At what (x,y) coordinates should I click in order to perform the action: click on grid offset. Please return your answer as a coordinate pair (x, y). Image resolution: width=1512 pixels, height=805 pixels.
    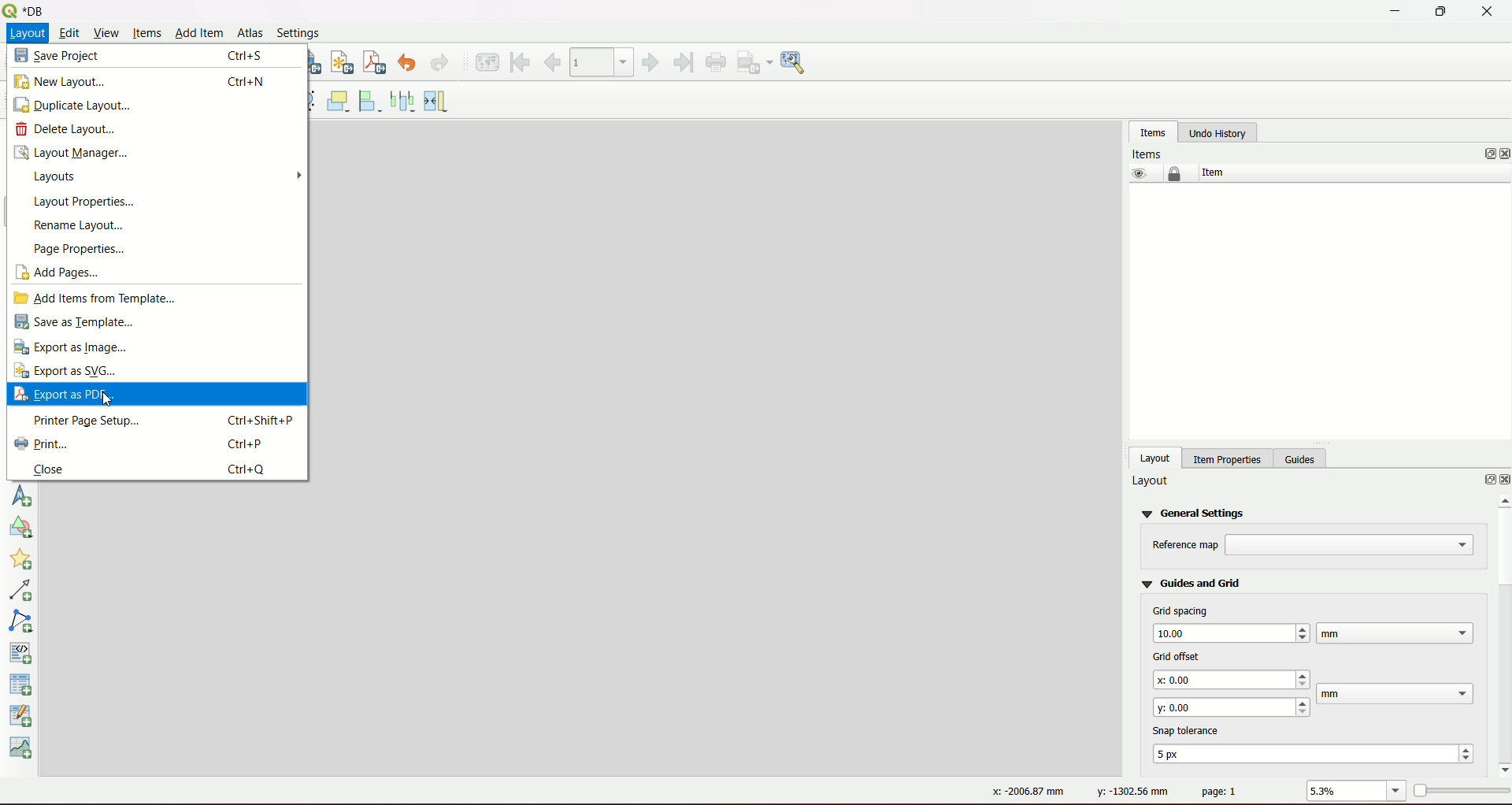
    Looking at the image, I should click on (1173, 655).